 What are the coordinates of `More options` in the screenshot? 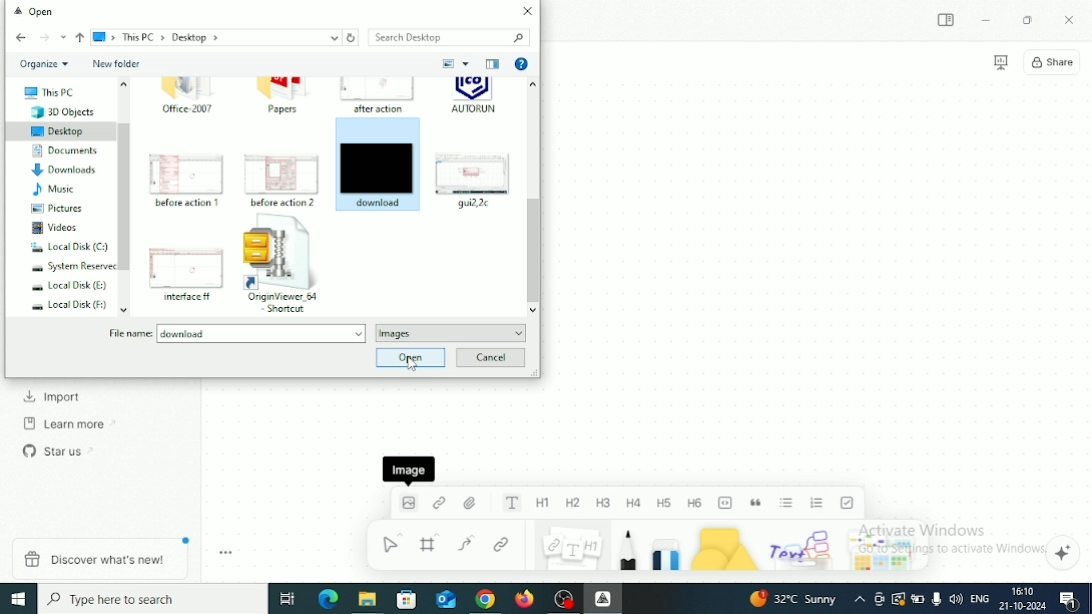 It's located at (468, 63).